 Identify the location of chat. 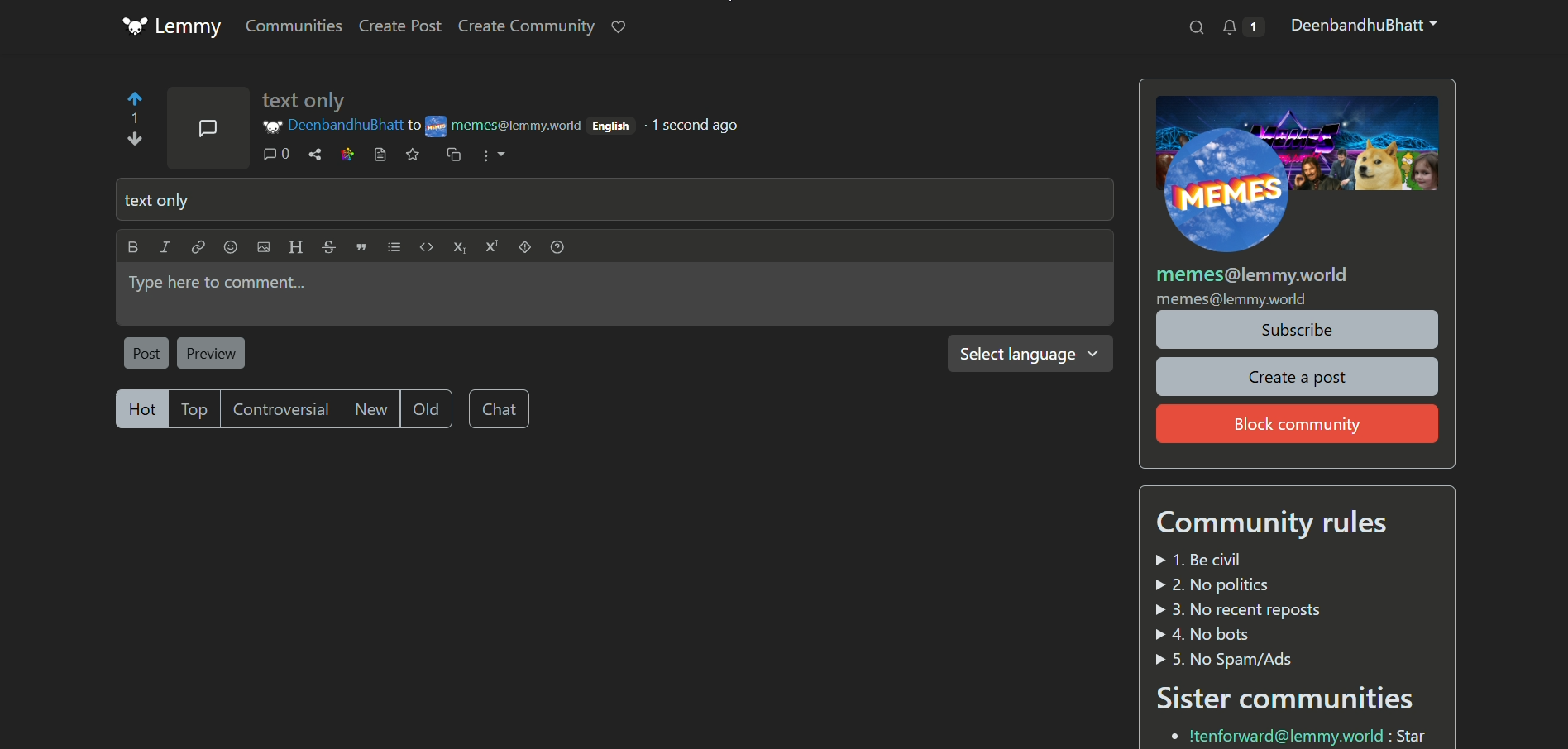
(499, 408).